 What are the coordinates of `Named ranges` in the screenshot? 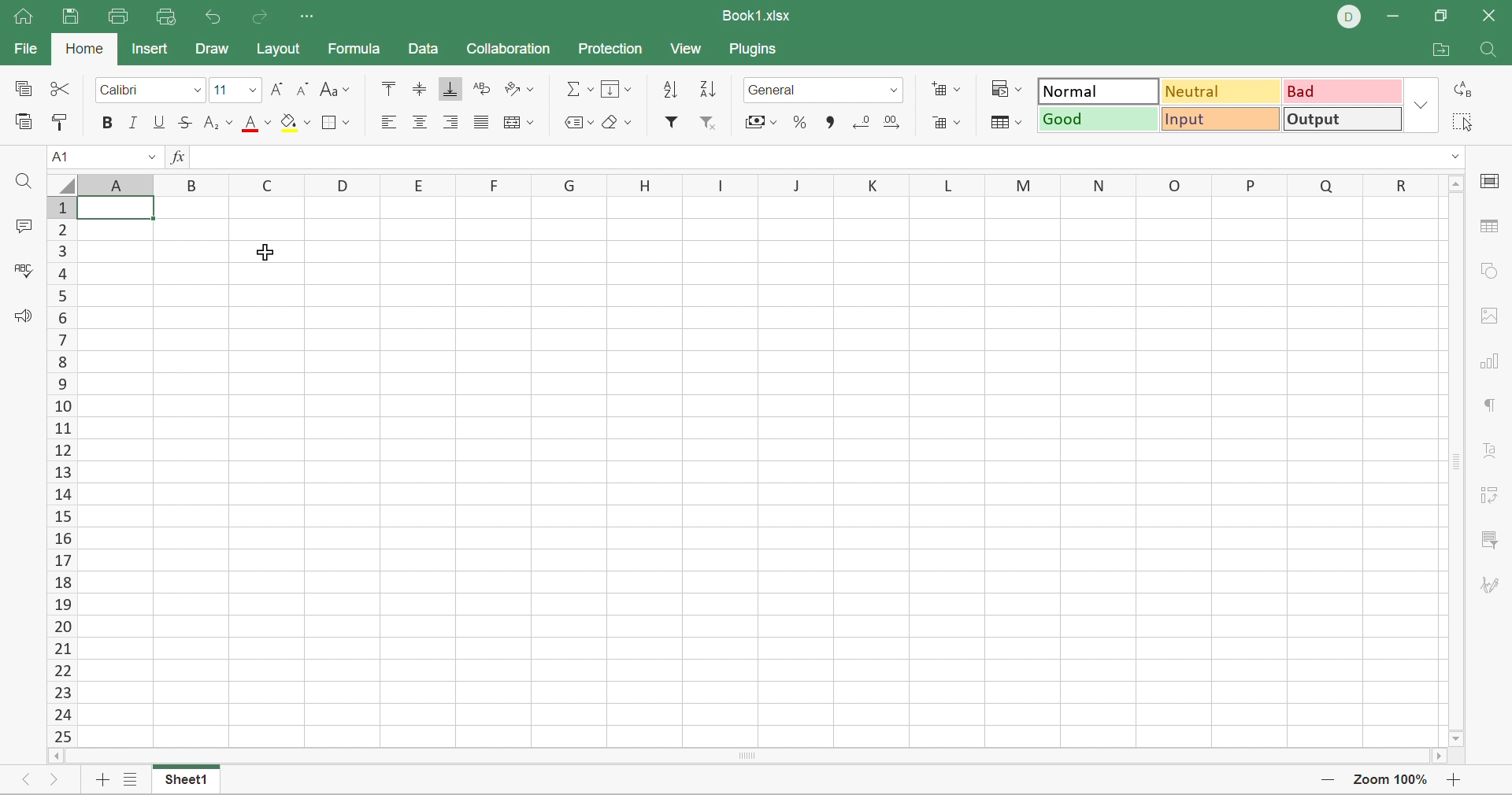 It's located at (580, 122).